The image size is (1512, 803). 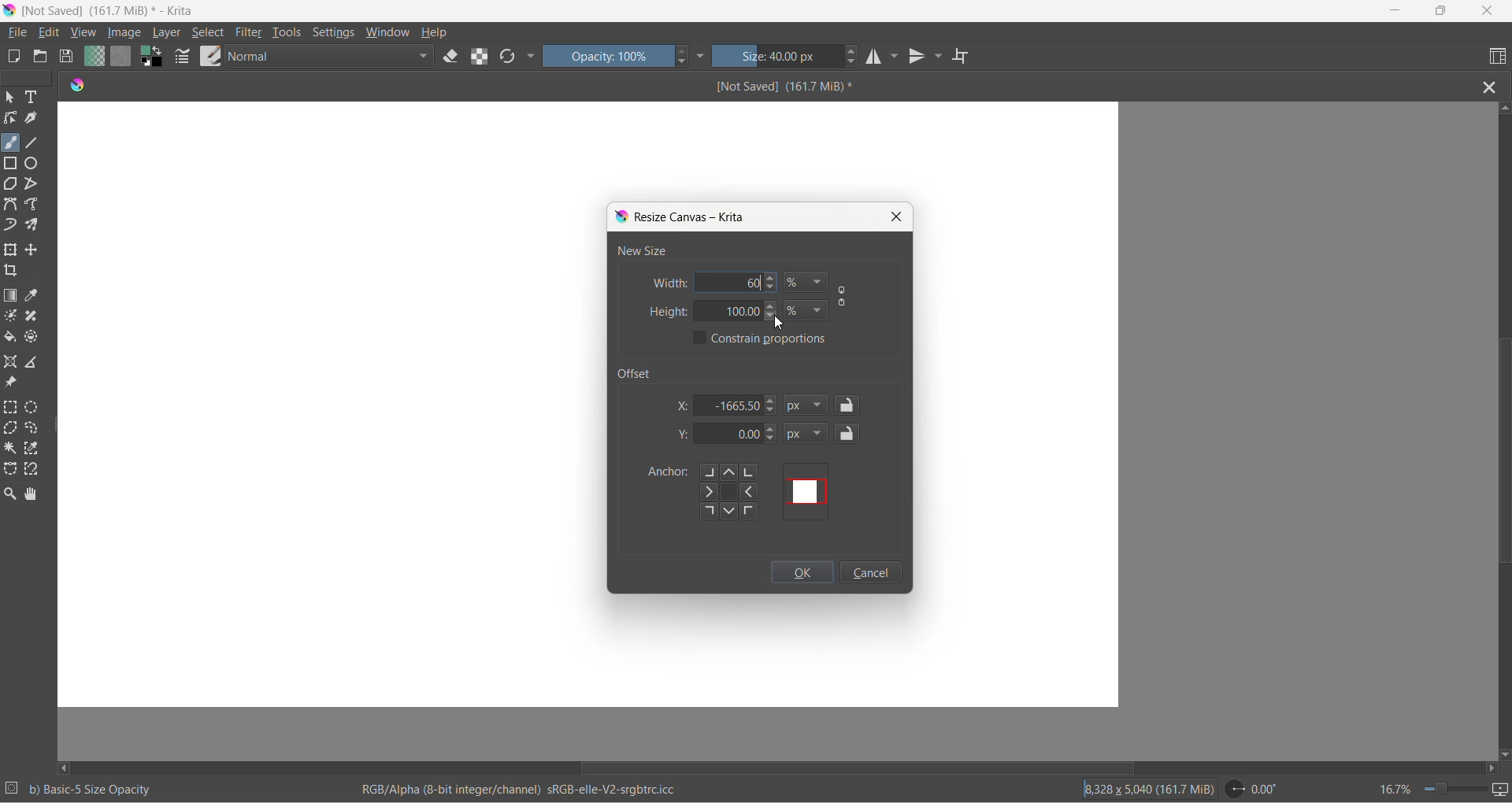 I want to click on , so click(x=771, y=400).